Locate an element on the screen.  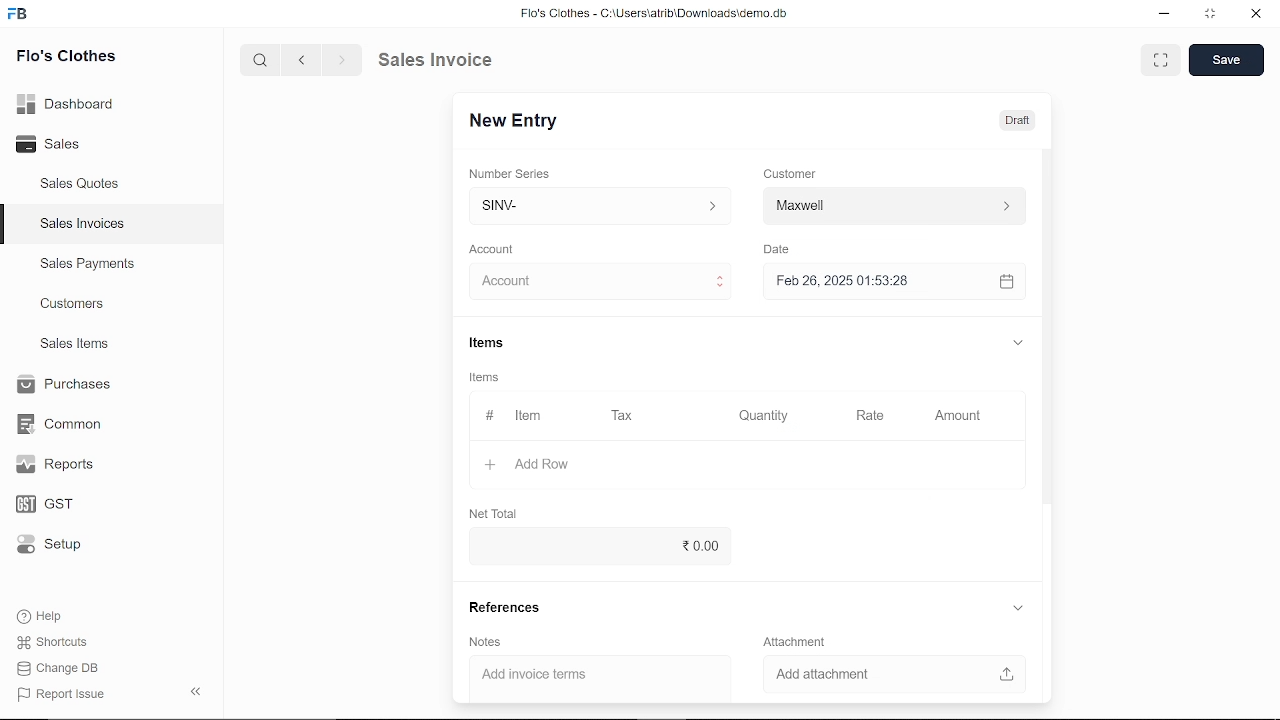
Flo's Clothes - C:\UsersatribiDownloads\demo.do is located at coordinates (662, 15).